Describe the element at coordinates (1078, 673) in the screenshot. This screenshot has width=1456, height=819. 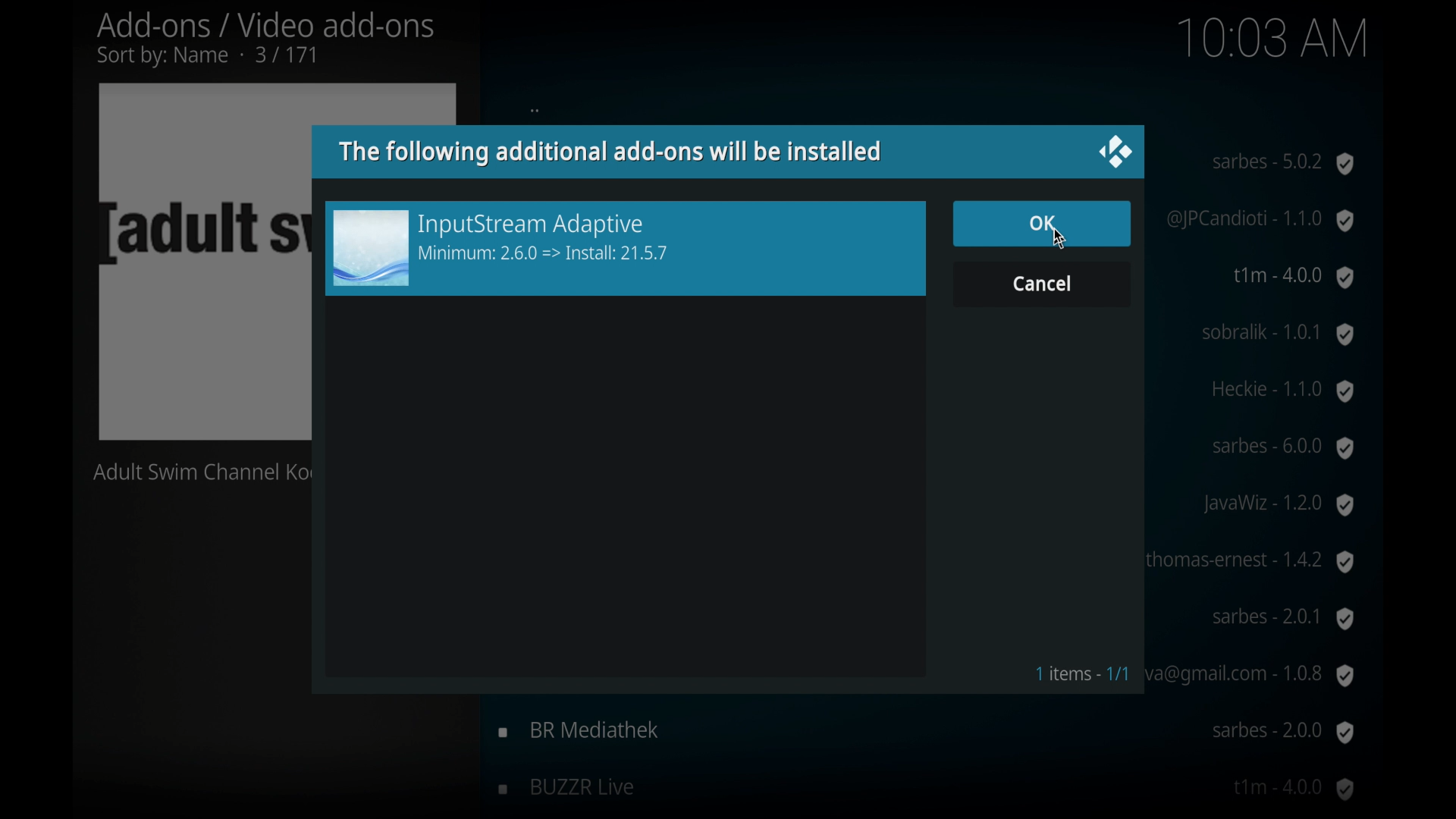
I see `1 items- 1/1` at that location.